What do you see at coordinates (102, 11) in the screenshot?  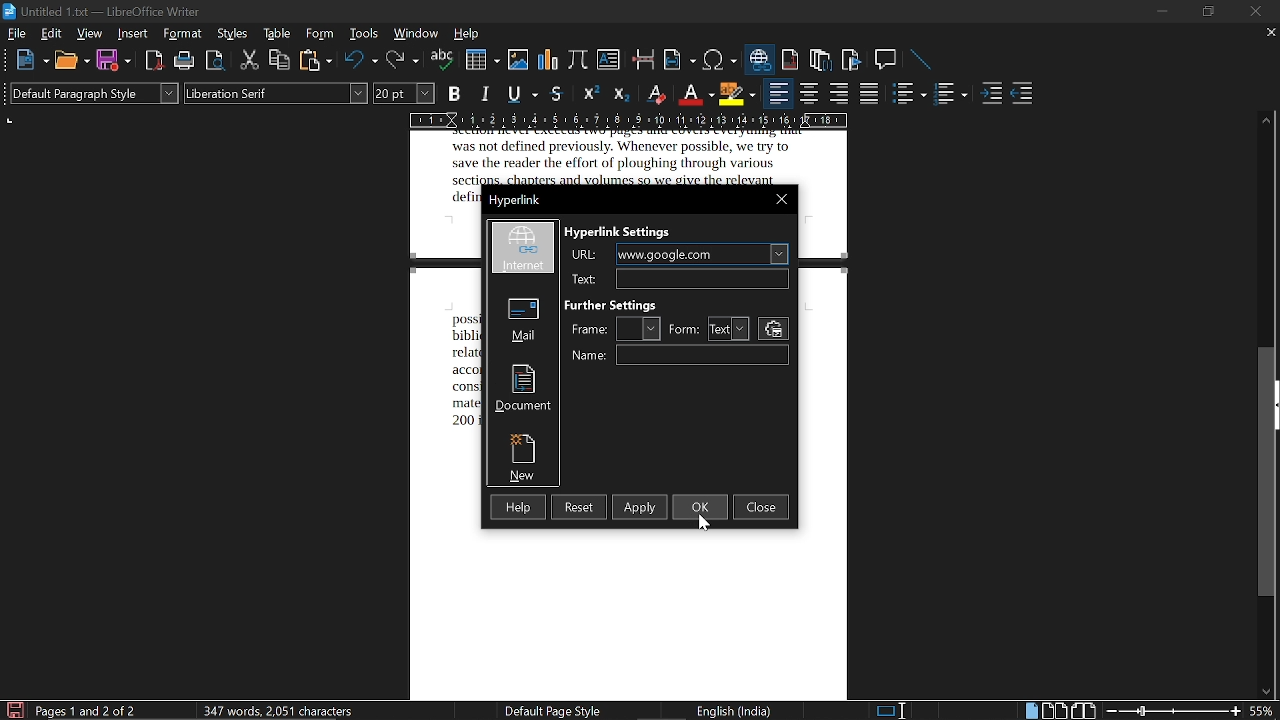 I see `current window` at bounding box center [102, 11].